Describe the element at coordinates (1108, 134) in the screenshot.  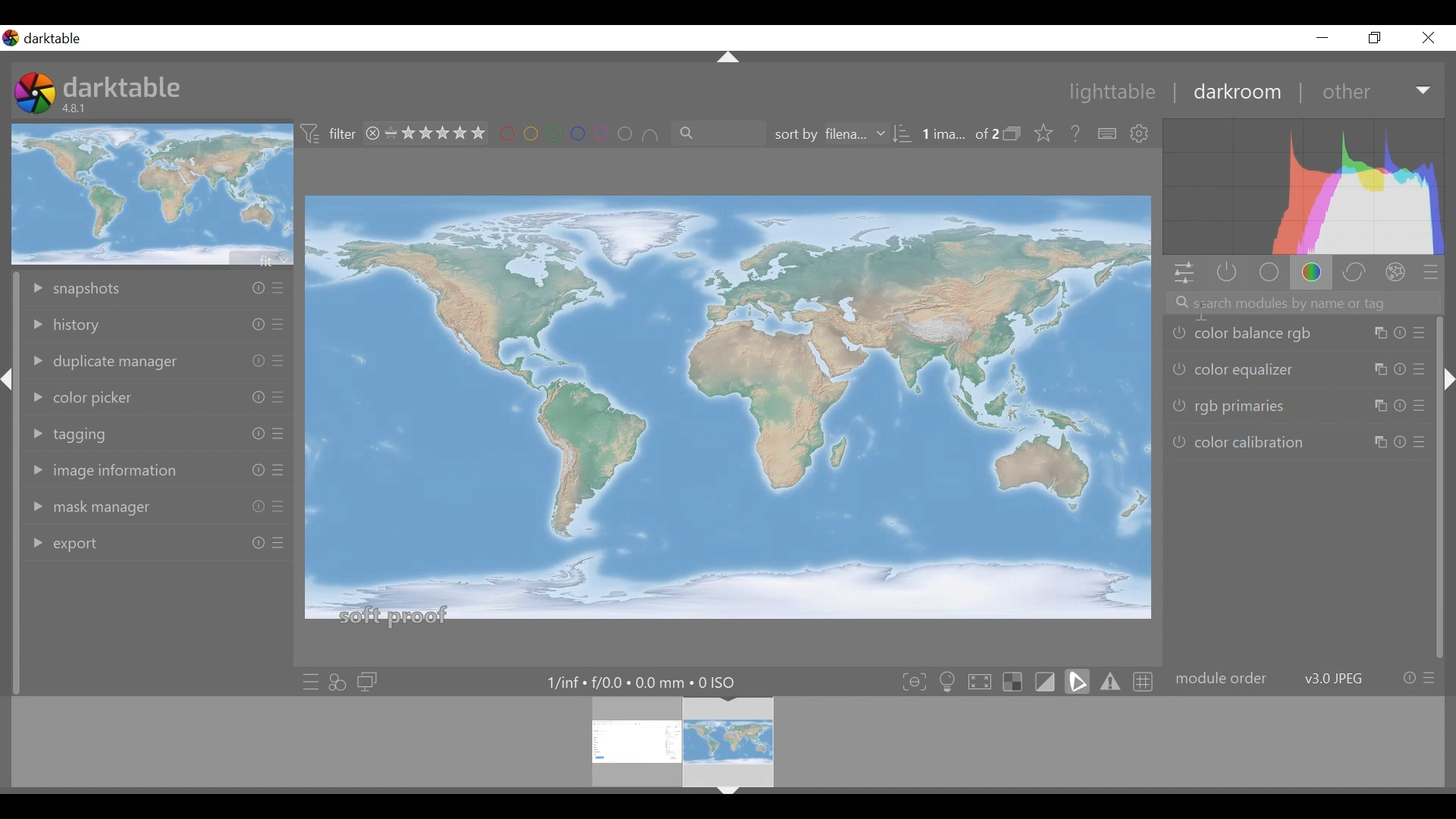
I see `define shortcuts` at that location.